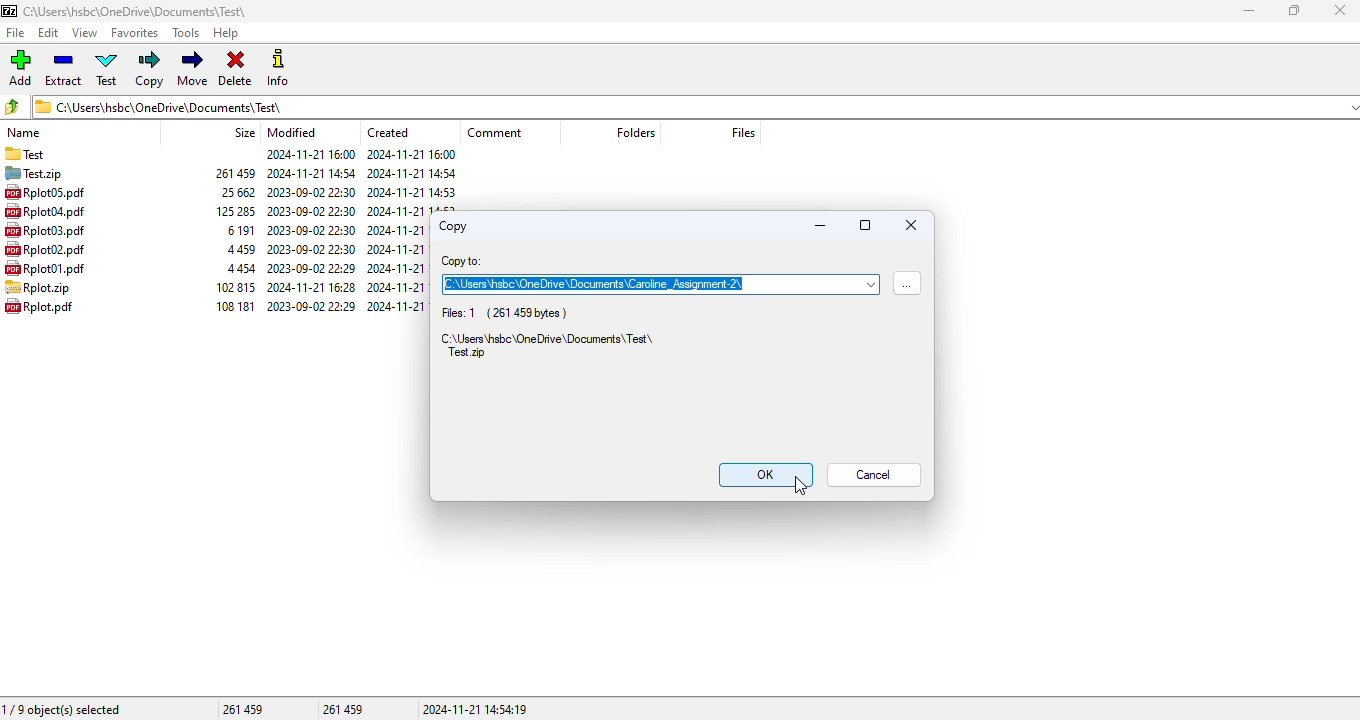 The height and width of the screenshot is (720, 1360). Describe the element at coordinates (44, 248) in the screenshot. I see `file name` at that location.